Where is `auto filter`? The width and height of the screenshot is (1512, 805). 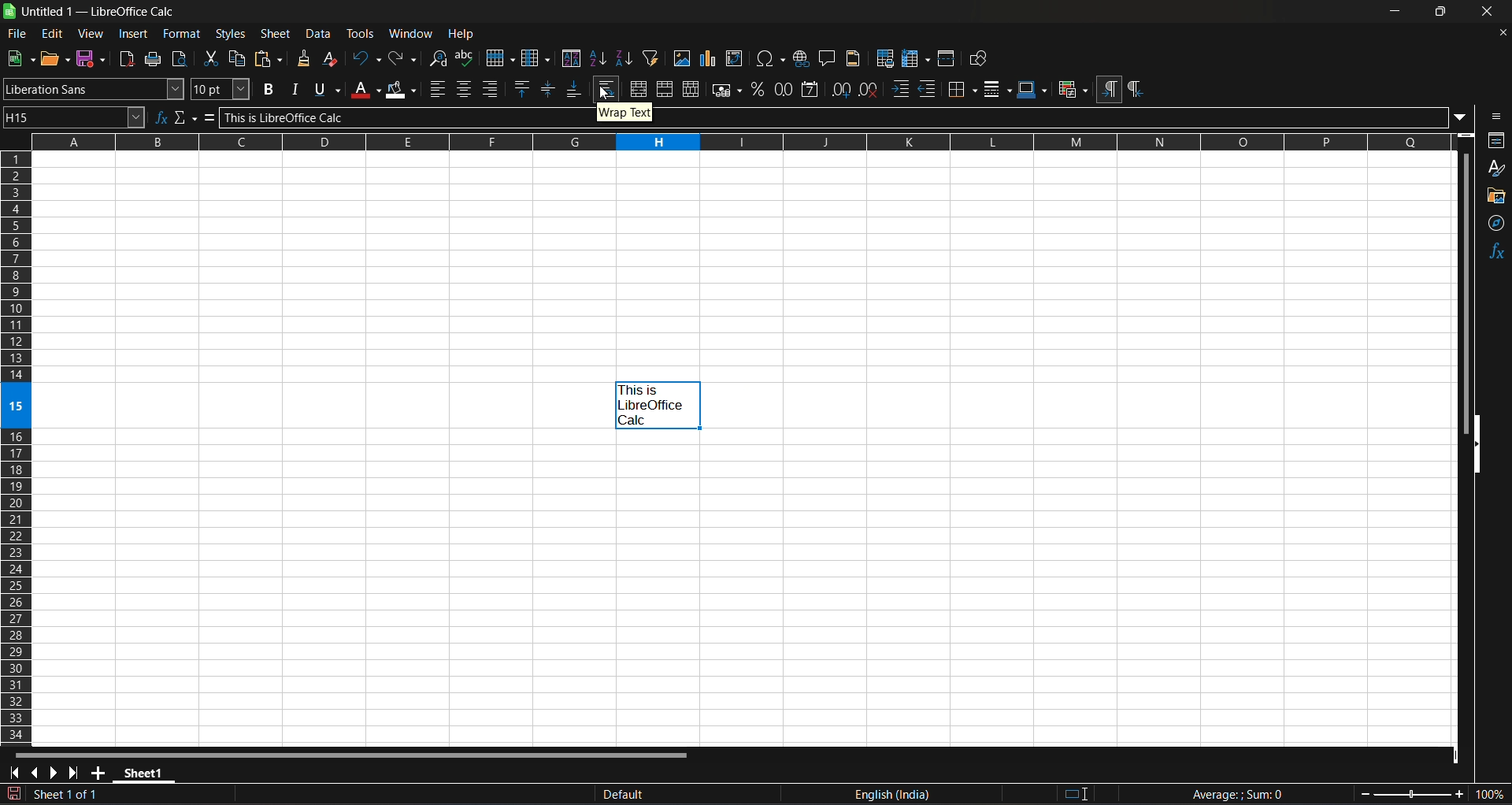
auto filter is located at coordinates (651, 57).